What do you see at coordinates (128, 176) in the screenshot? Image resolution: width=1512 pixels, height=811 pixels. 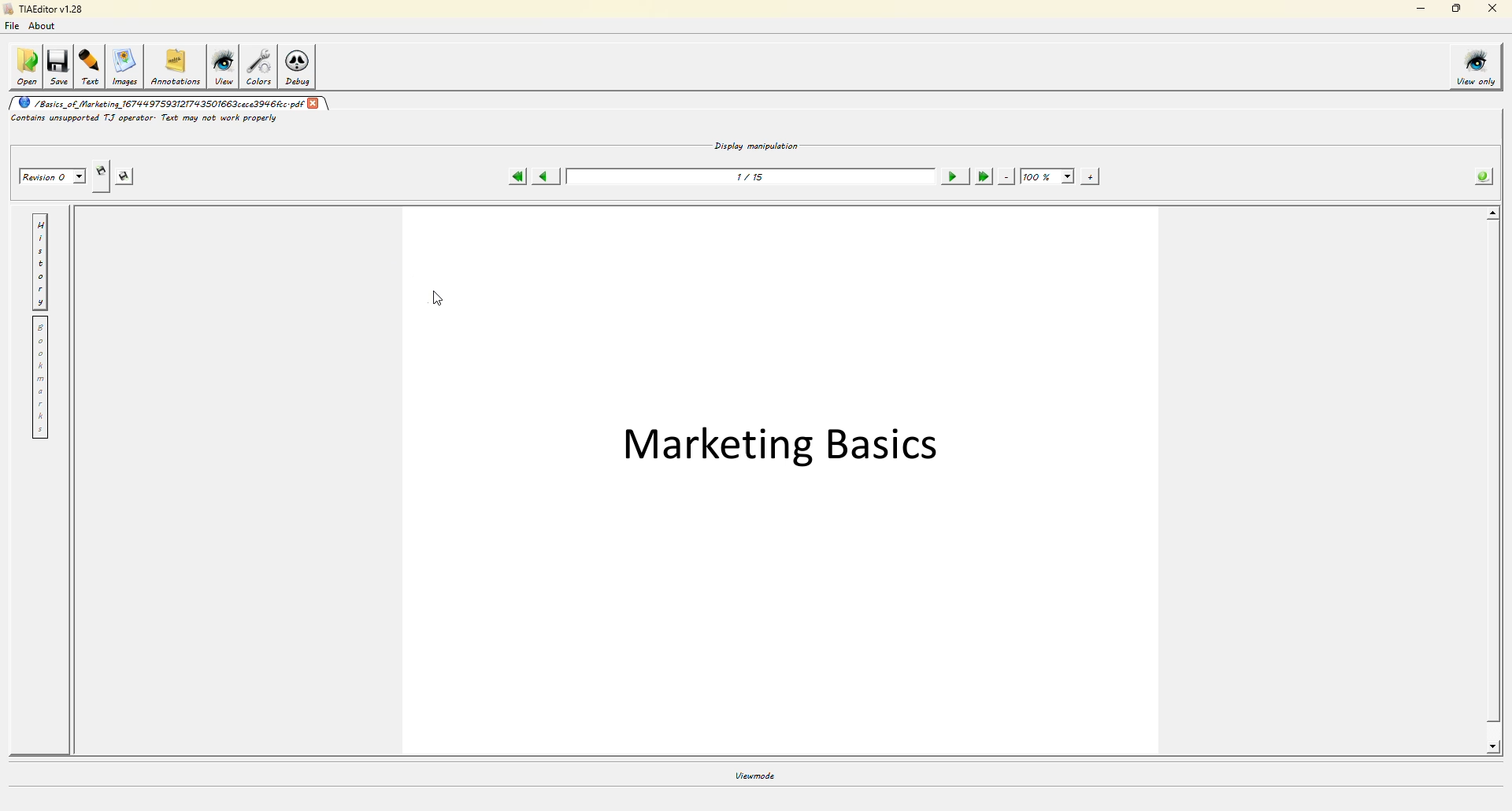 I see `saves this revision to other file` at bounding box center [128, 176].